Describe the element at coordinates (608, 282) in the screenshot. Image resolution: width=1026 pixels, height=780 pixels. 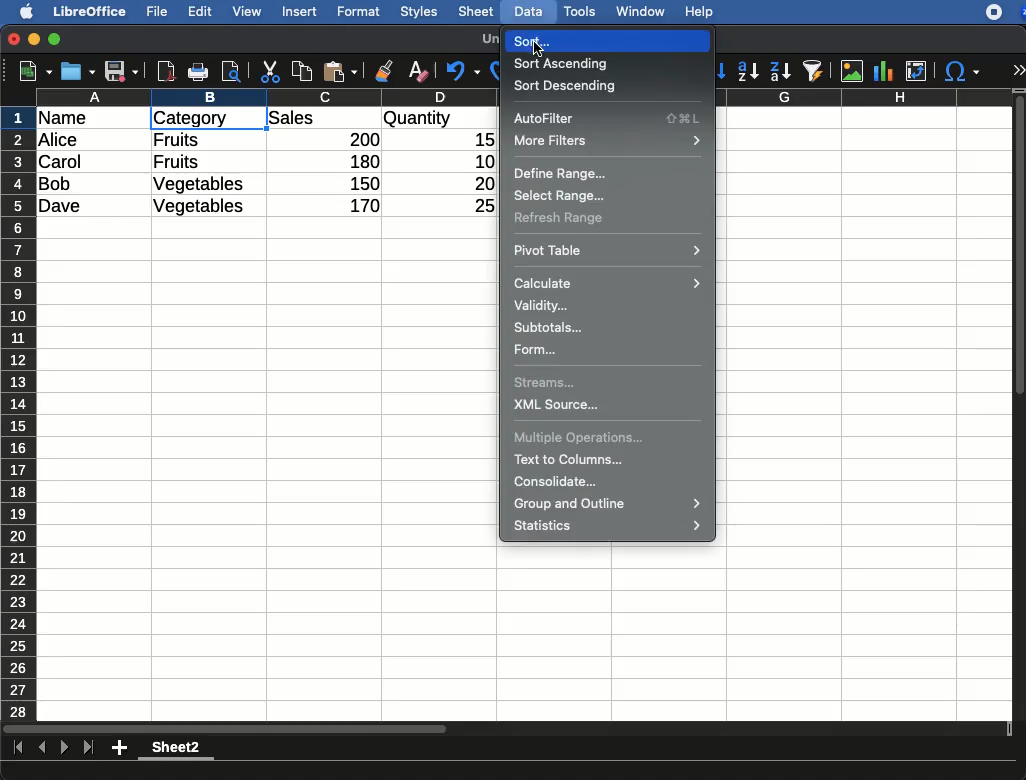
I see `calculate` at that location.